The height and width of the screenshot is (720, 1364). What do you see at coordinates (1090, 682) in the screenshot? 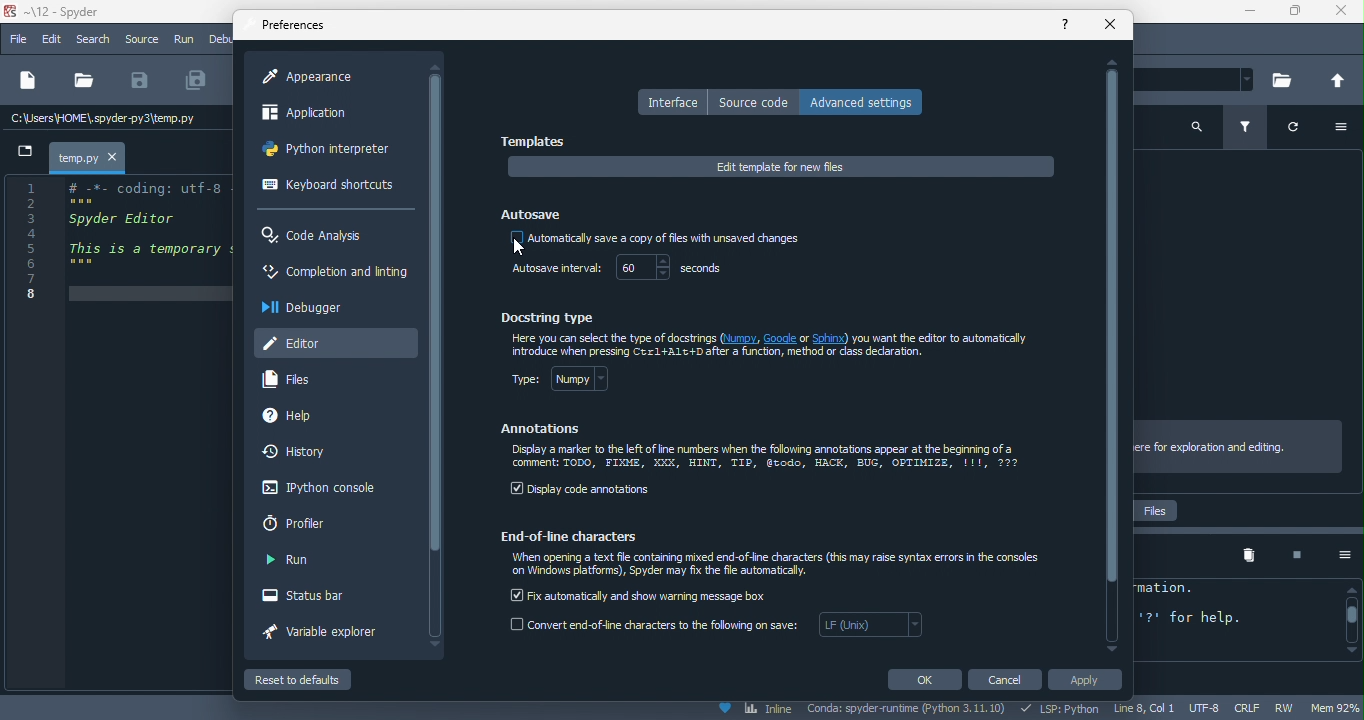
I see `apply` at bounding box center [1090, 682].